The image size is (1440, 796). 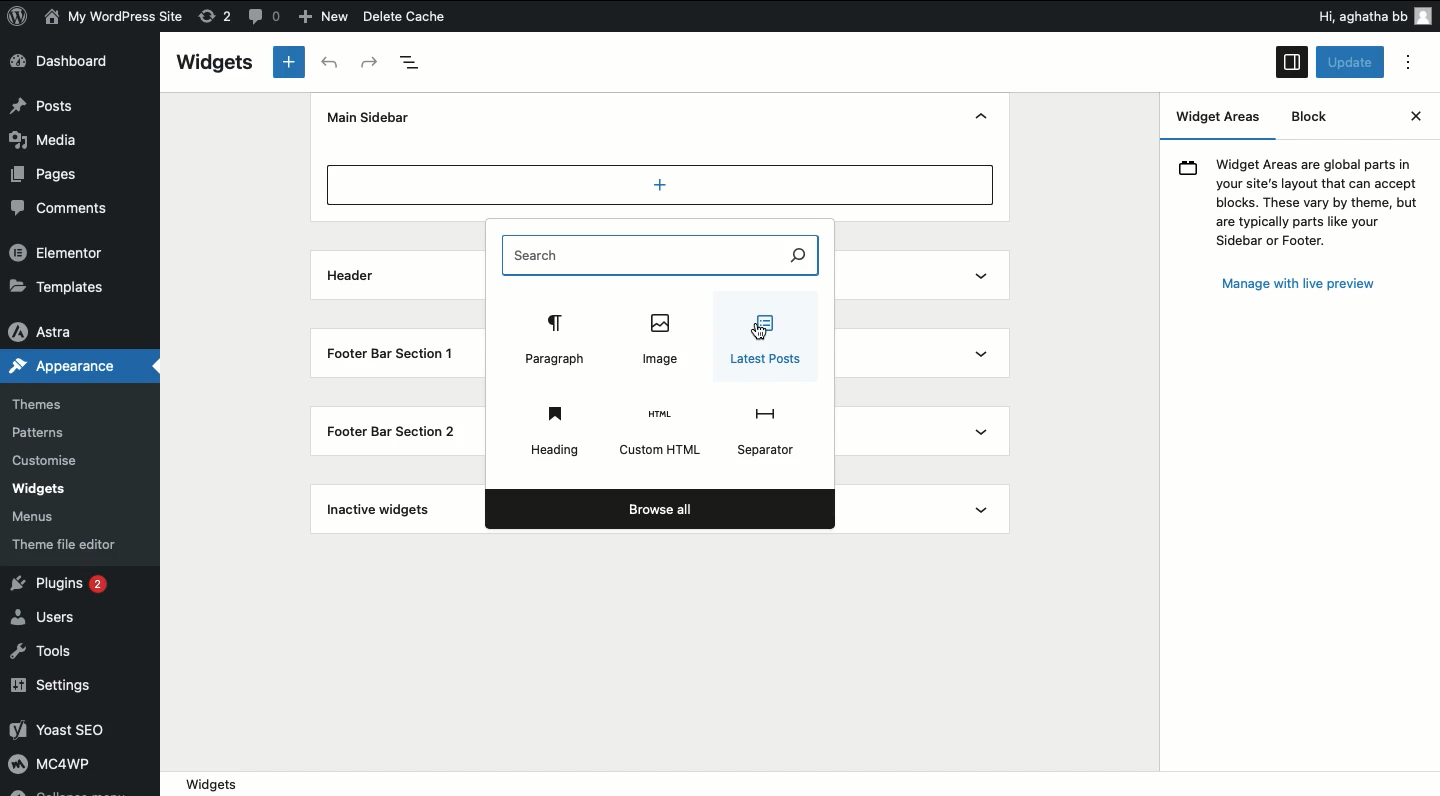 I want to click on Patterns, so click(x=45, y=430).